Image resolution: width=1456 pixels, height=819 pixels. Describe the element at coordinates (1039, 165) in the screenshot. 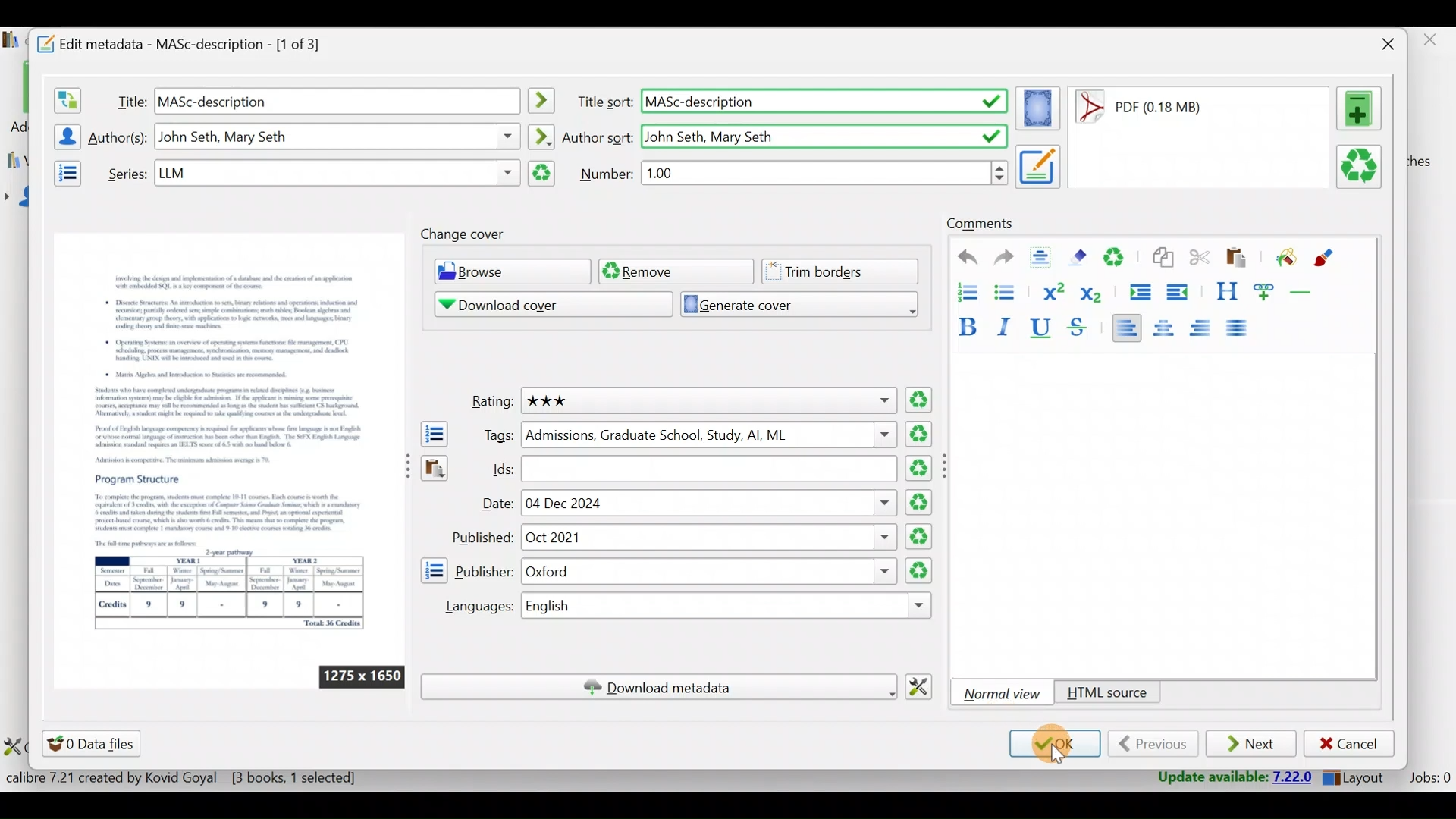

I see `` at that location.